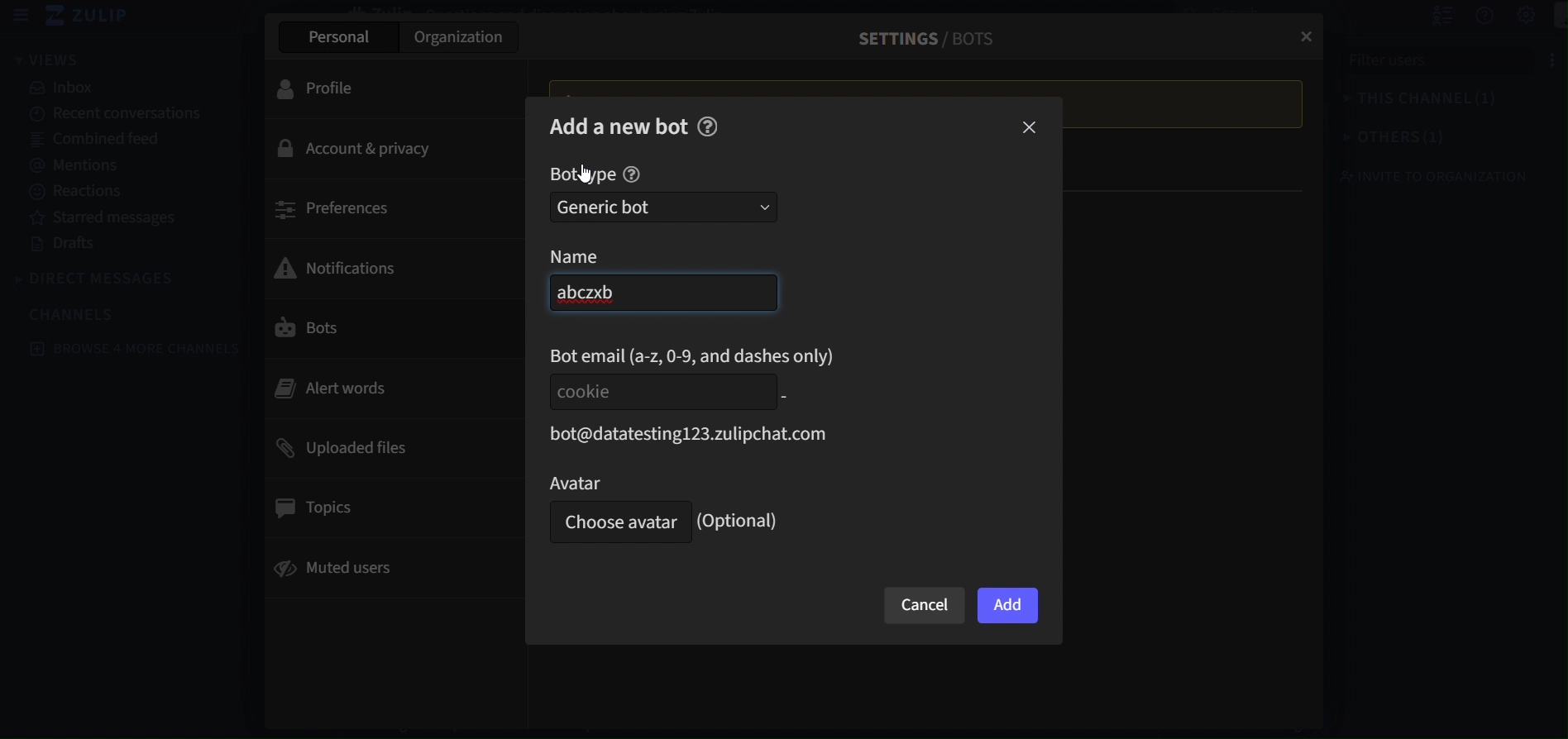 The width and height of the screenshot is (1568, 739). I want to click on combined feed, so click(124, 140).